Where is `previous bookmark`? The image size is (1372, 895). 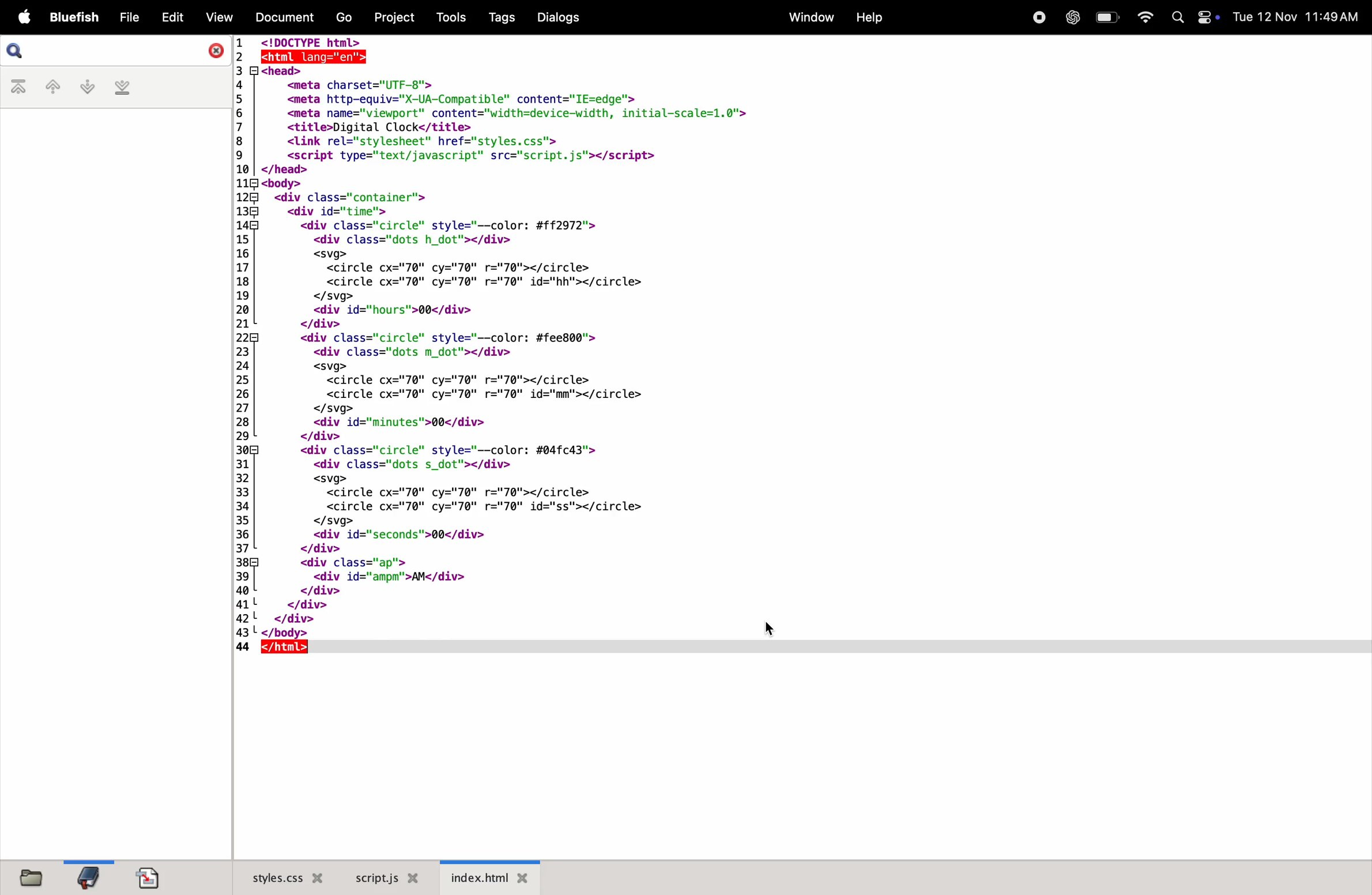
previous bookmark is located at coordinates (54, 85).